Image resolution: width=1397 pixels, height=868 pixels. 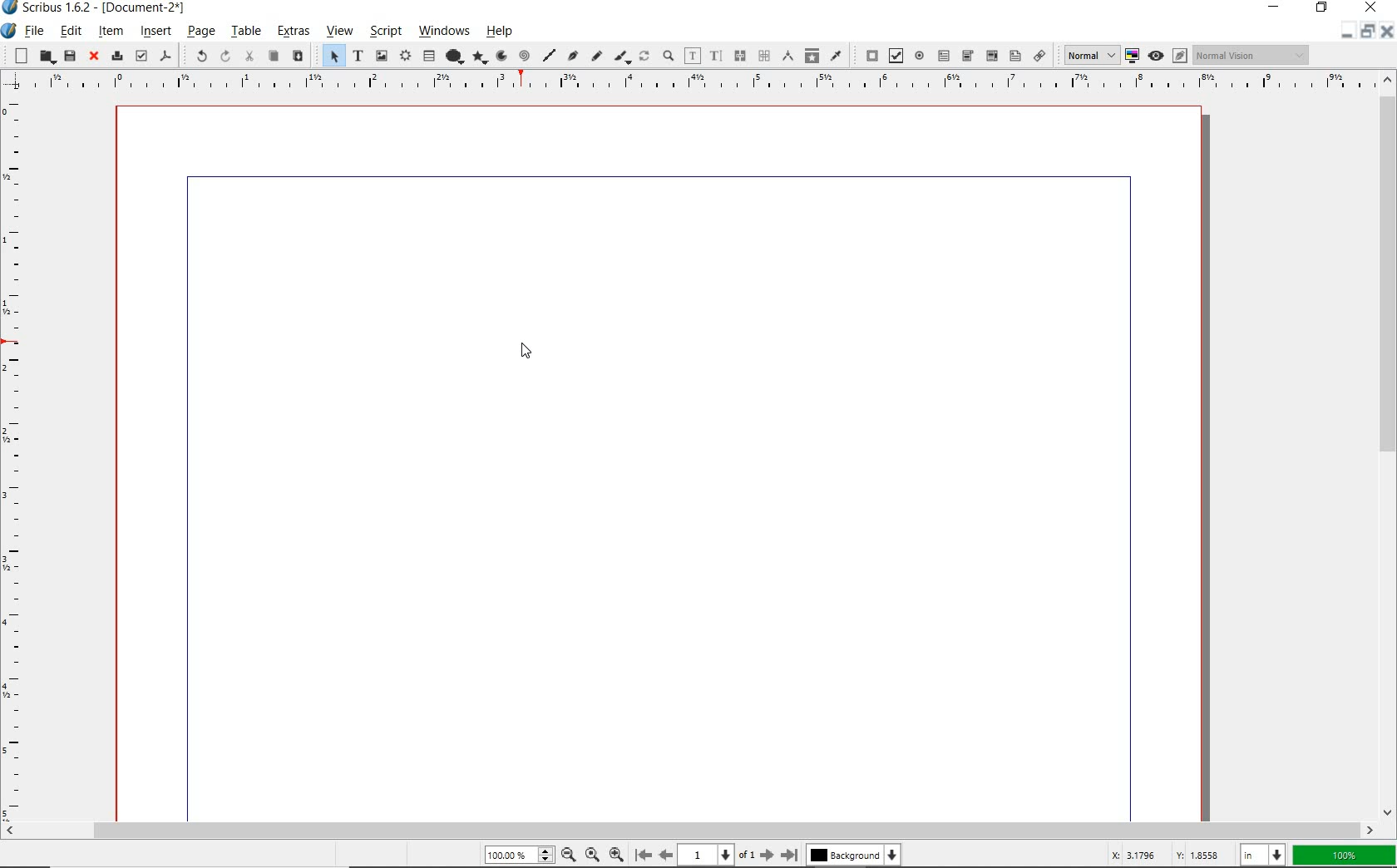 What do you see at coordinates (1261, 854) in the screenshot?
I see `select unit` at bounding box center [1261, 854].